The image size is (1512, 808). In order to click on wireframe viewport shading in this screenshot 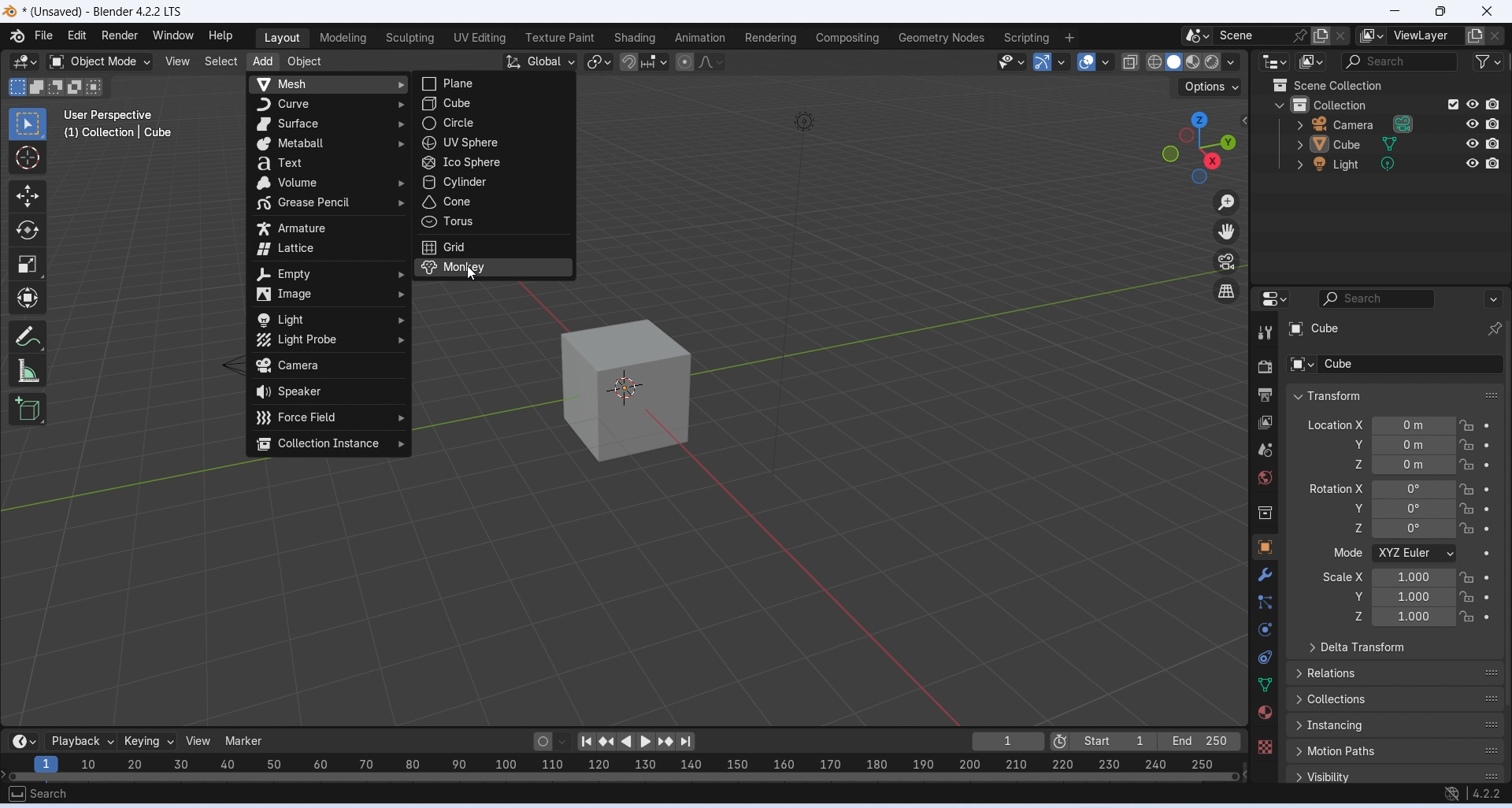, I will do `click(1154, 61)`.